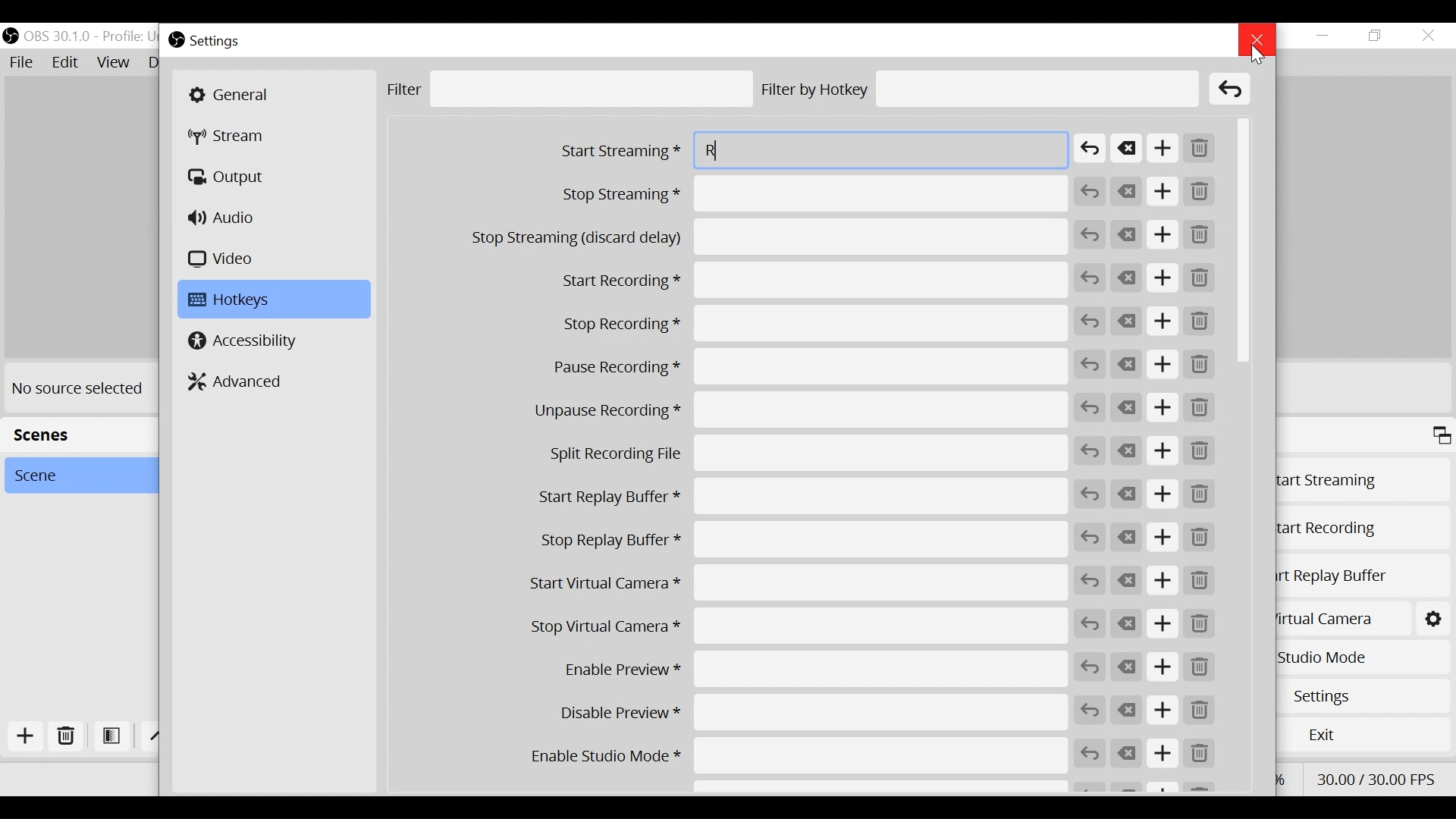  I want to click on Revert, so click(1090, 406).